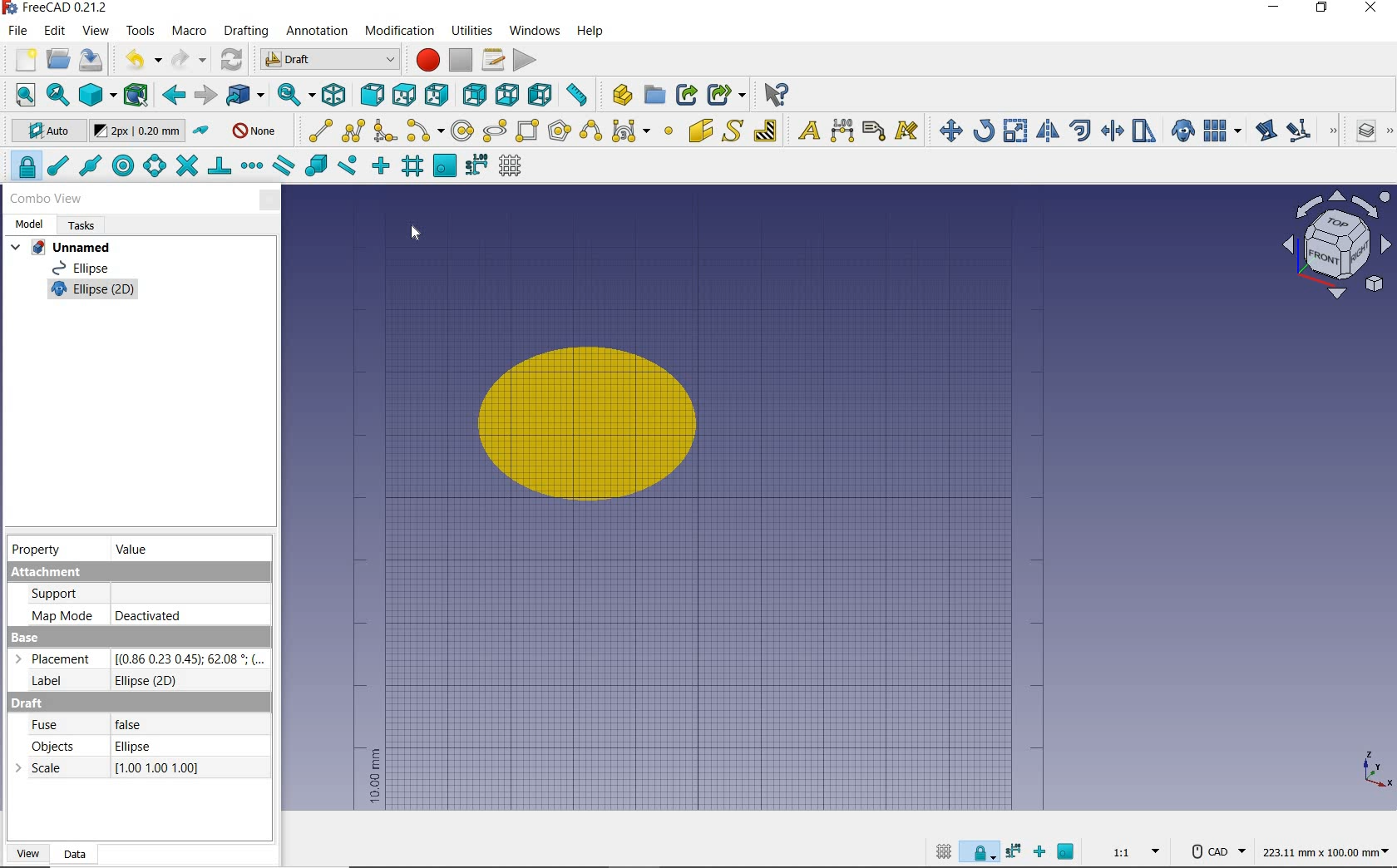  What do you see at coordinates (95, 290) in the screenshot?
I see `ellipse (2D)` at bounding box center [95, 290].